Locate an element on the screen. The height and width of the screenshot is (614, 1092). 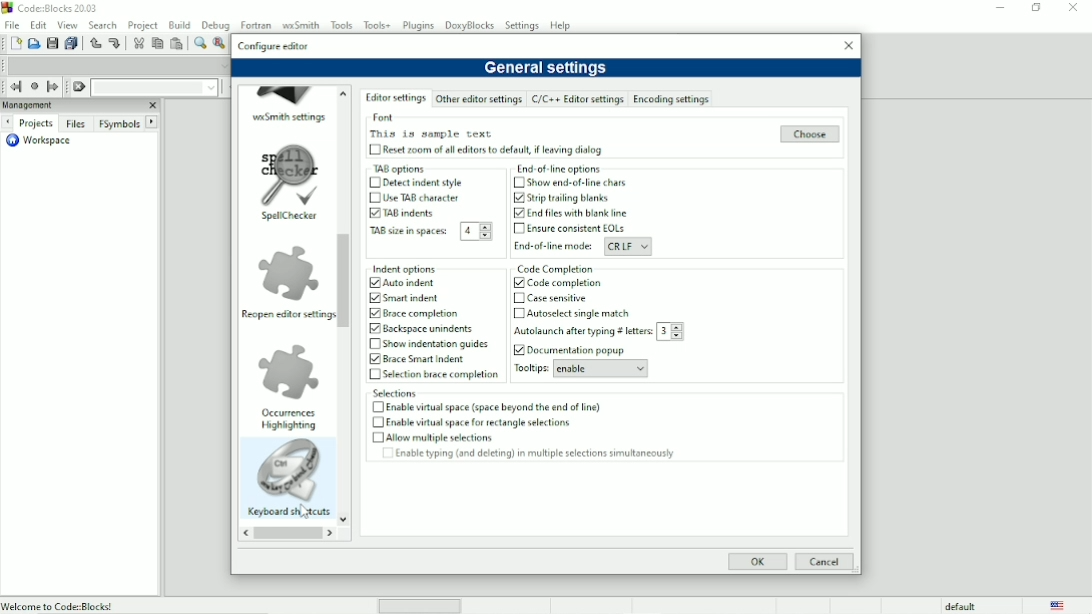
Image is located at coordinates (291, 369).